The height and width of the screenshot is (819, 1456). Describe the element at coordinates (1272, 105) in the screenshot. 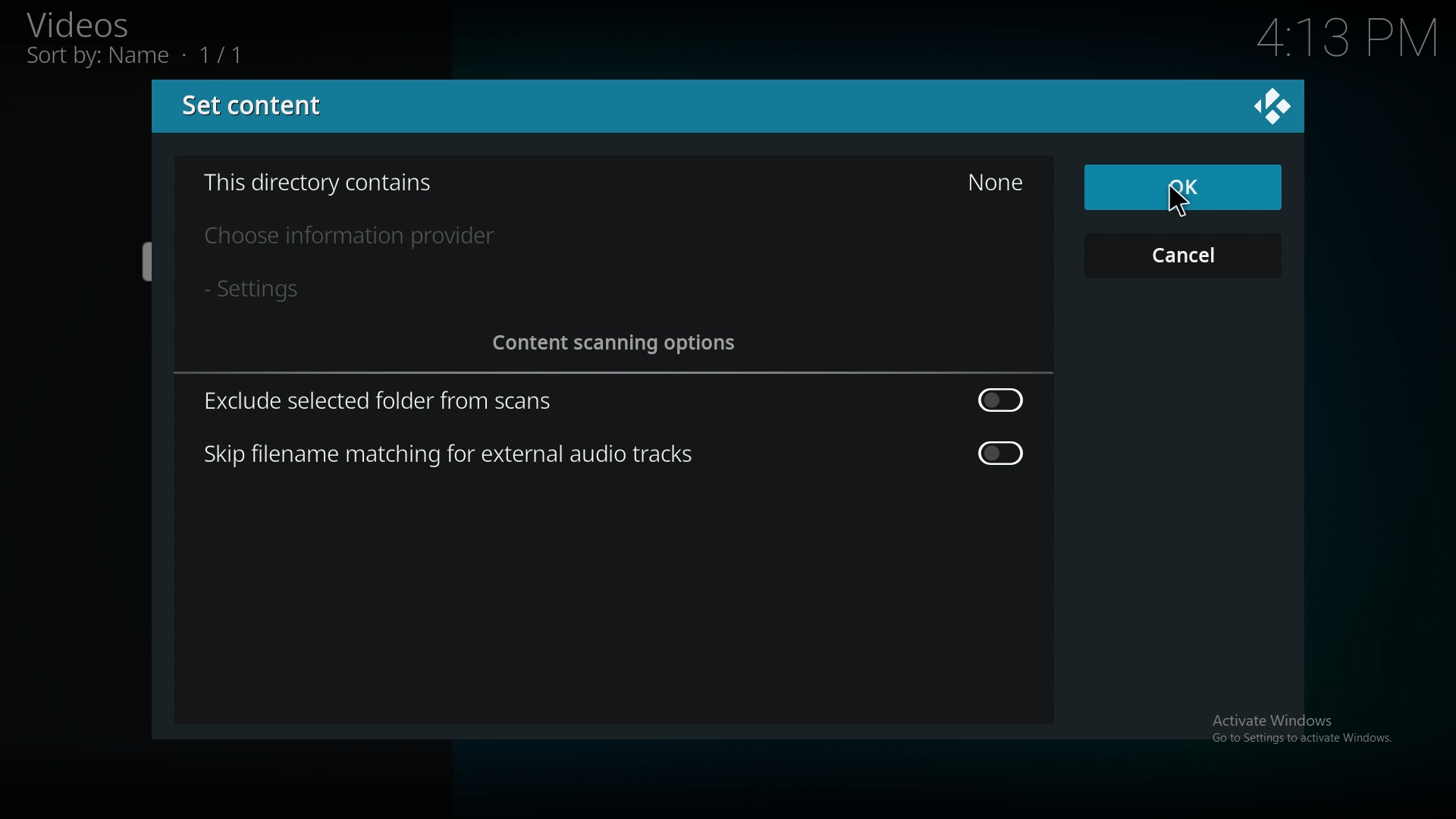

I see `close` at that location.